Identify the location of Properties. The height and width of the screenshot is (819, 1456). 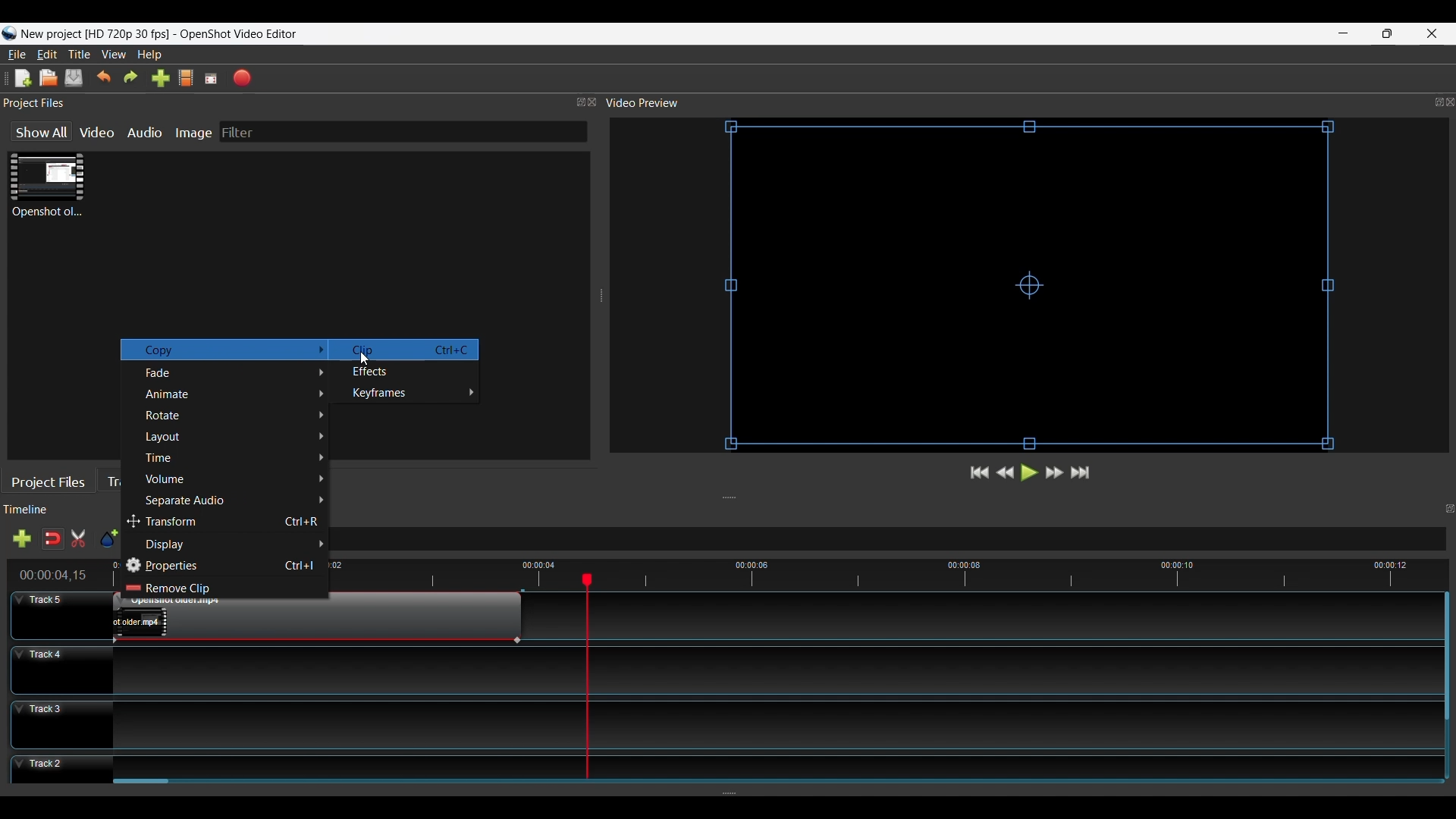
(226, 563).